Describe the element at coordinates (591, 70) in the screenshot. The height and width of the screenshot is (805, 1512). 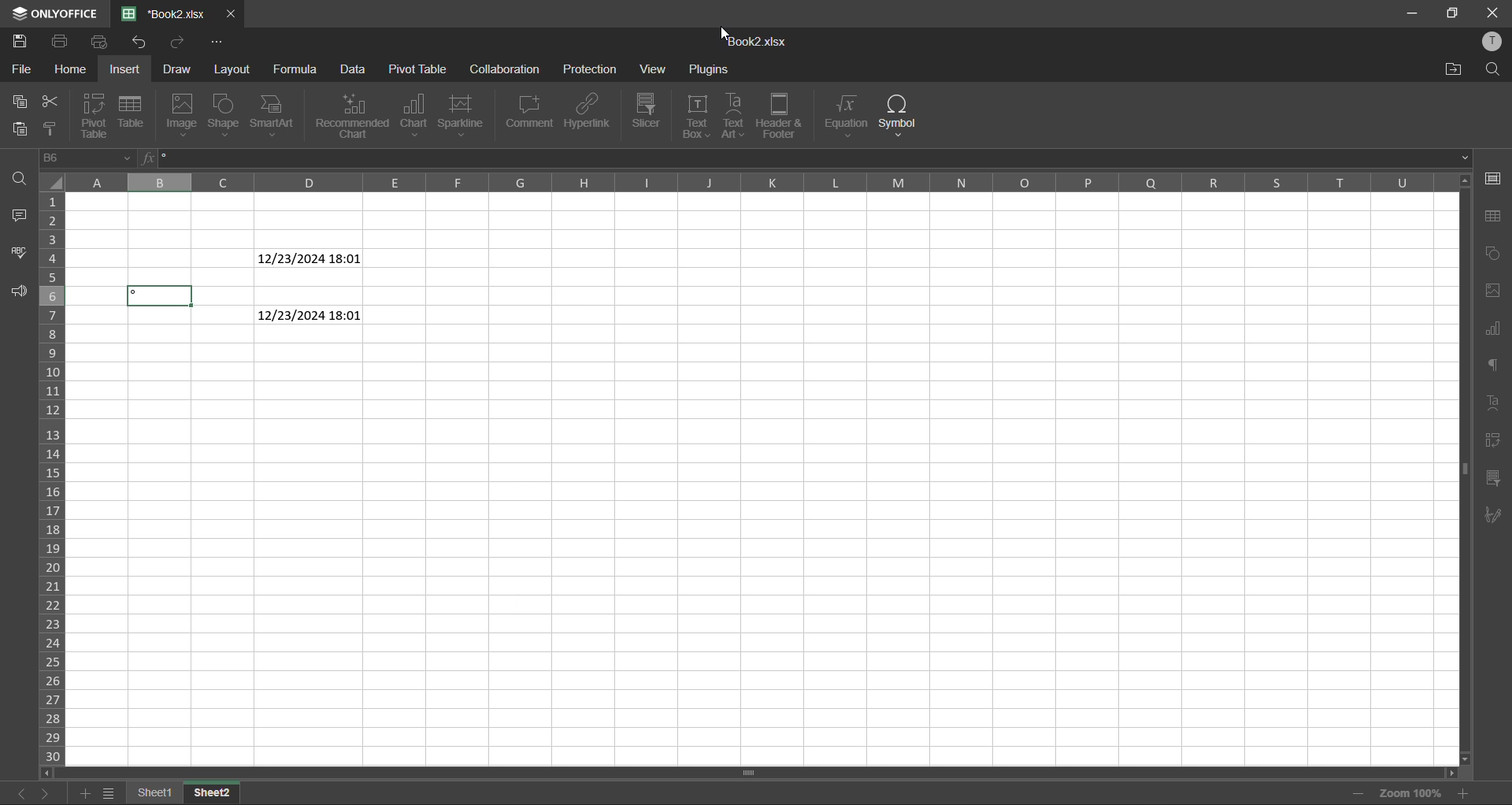
I see `protection` at that location.